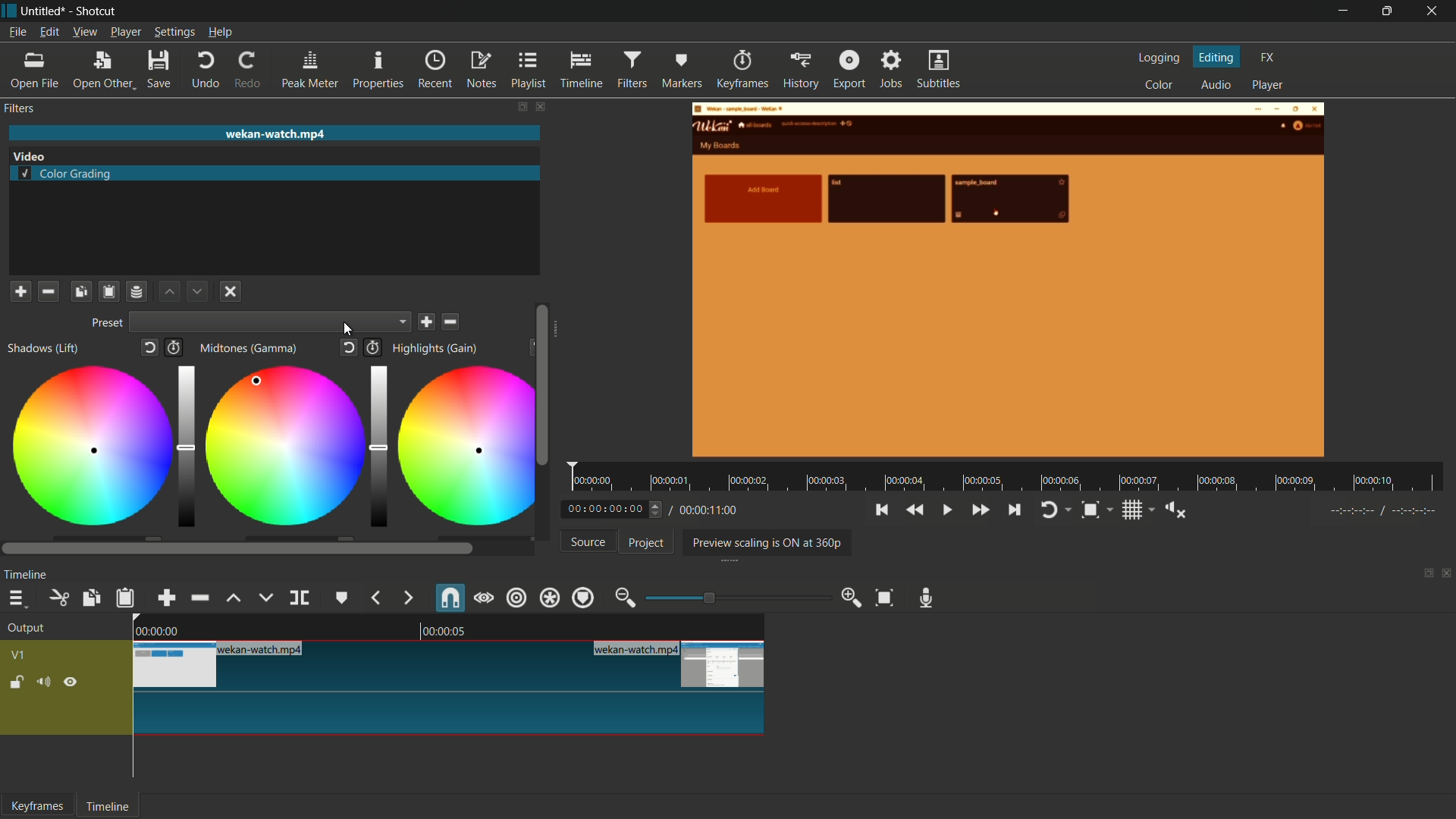  Describe the element at coordinates (174, 32) in the screenshot. I see `settings menu` at that location.